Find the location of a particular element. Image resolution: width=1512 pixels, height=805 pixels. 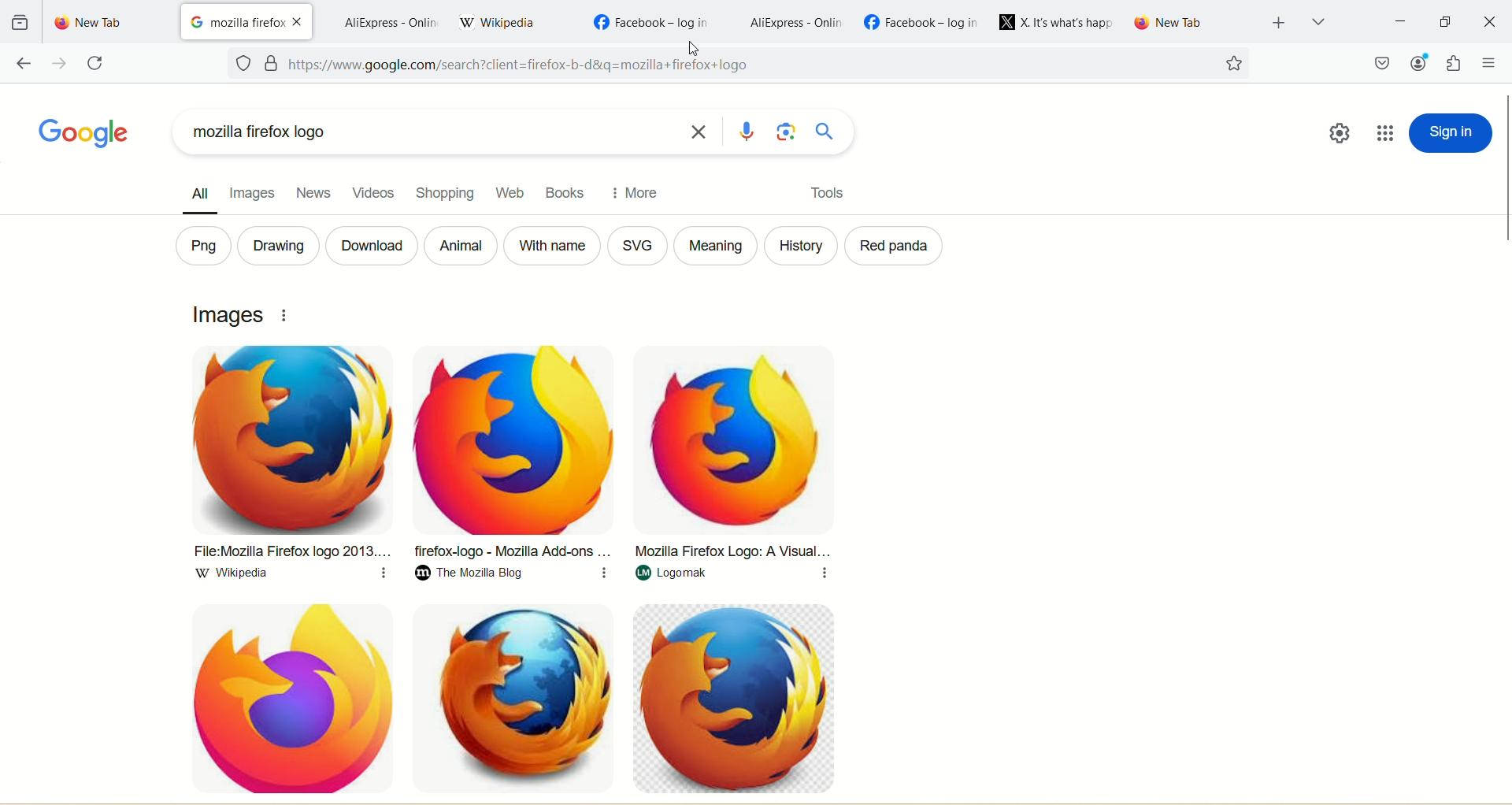

Iamge is located at coordinates (738, 699).